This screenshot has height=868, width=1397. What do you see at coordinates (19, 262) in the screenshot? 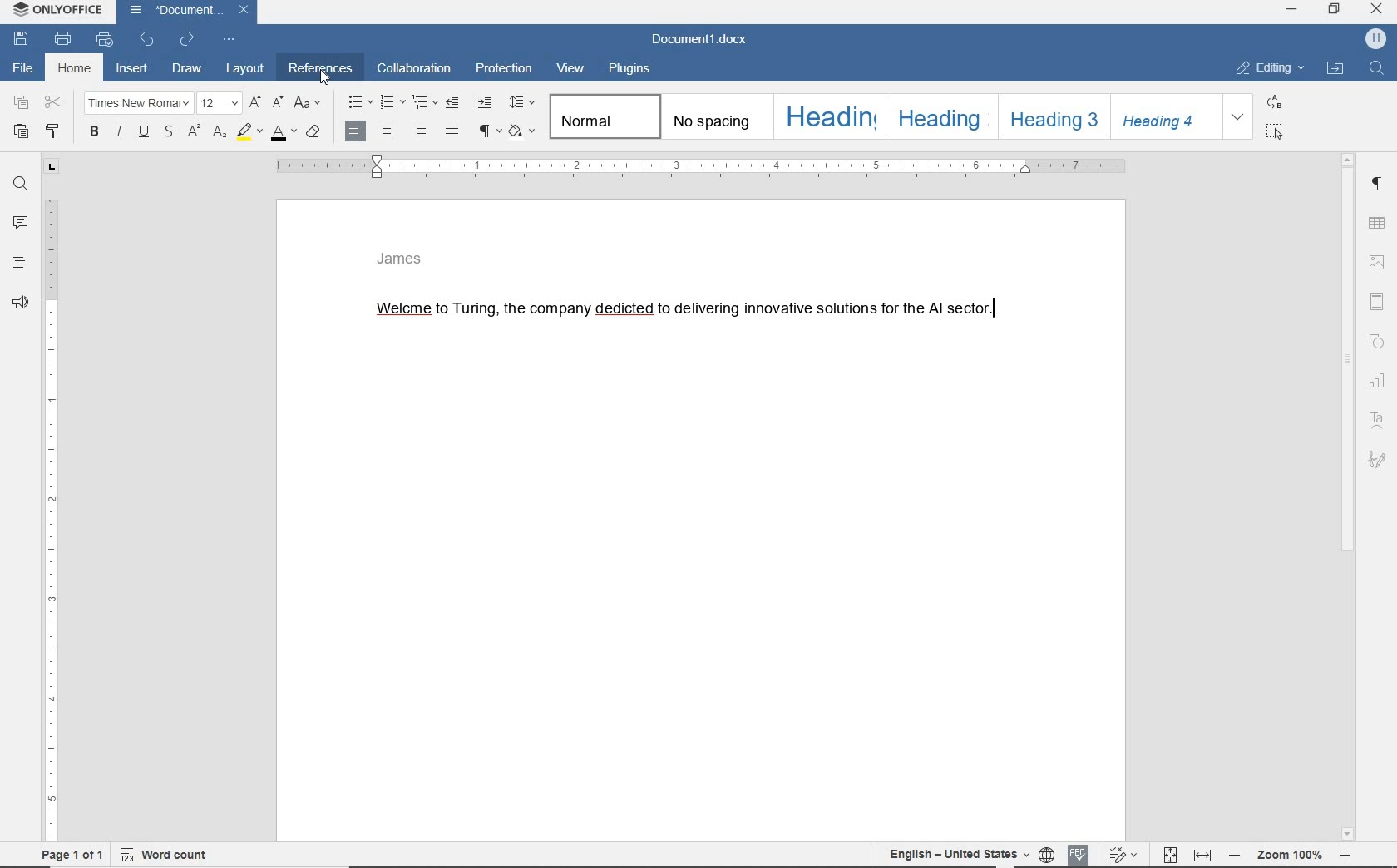
I see `headings` at bounding box center [19, 262].